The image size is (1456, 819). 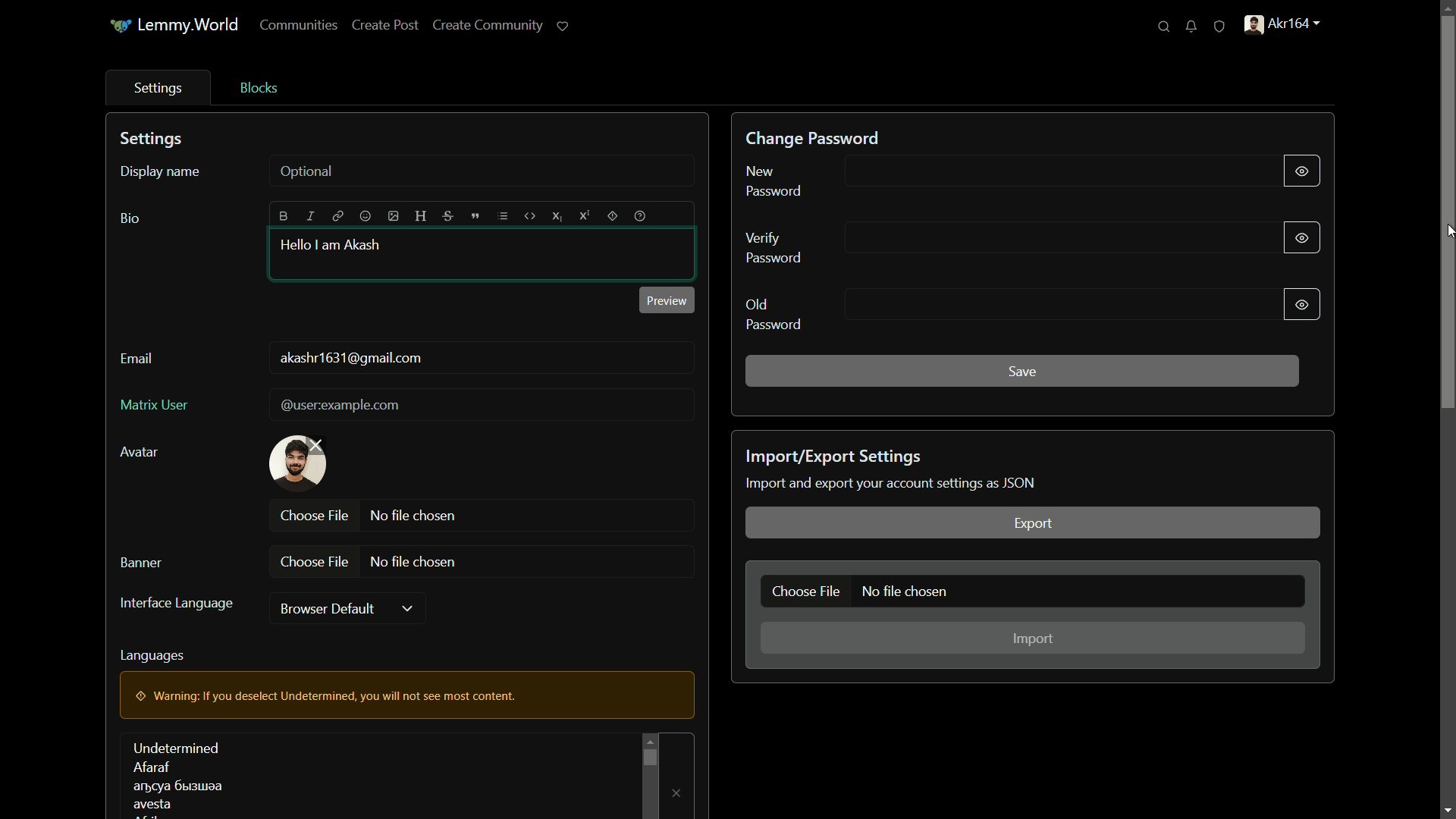 I want to click on export, so click(x=1032, y=522).